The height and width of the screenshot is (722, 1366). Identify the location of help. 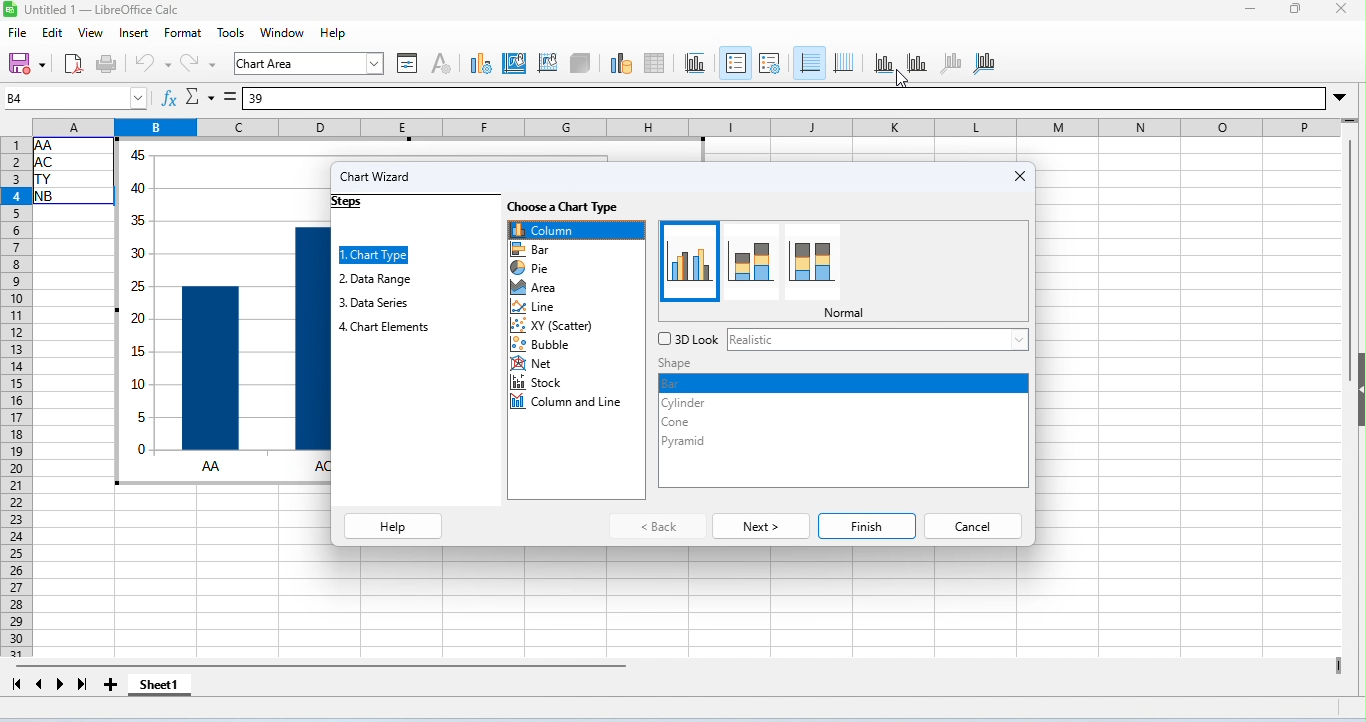
(393, 527).